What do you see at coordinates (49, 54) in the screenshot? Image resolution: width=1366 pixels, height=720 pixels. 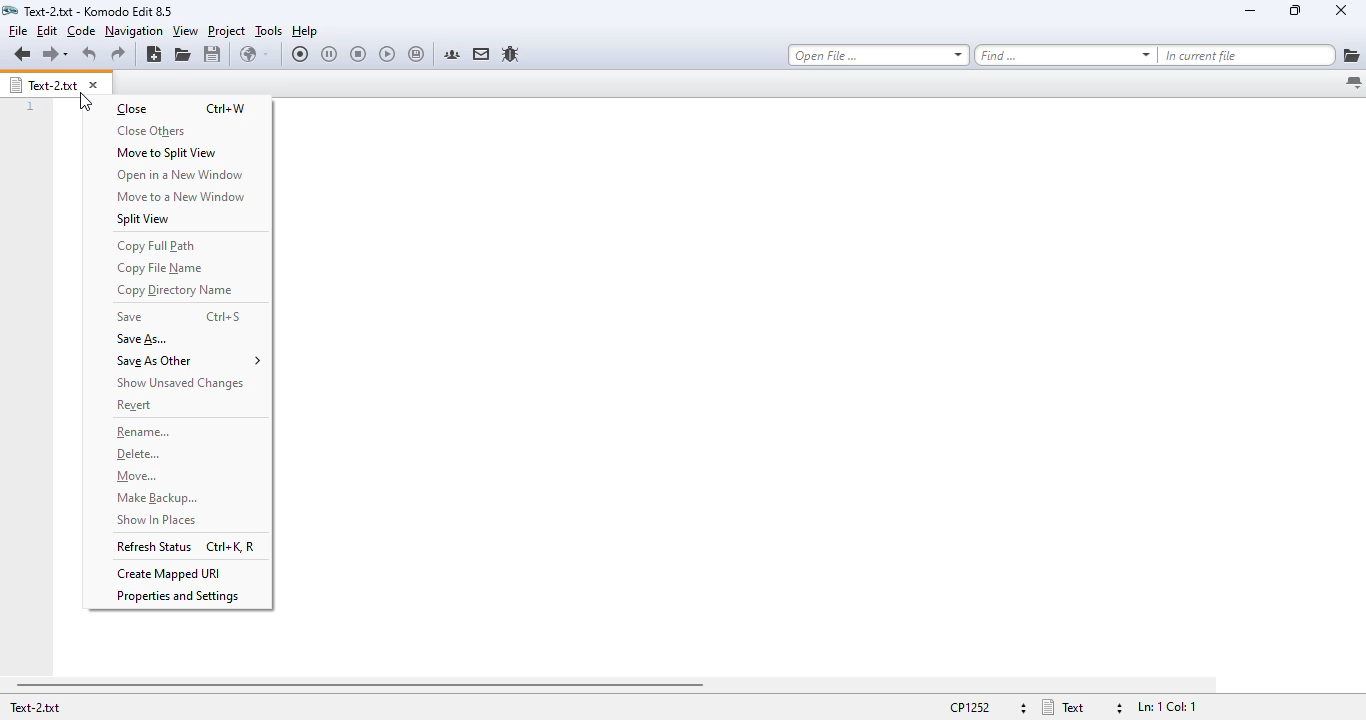 I see `go forward one location` at bounding box center [49, 54].